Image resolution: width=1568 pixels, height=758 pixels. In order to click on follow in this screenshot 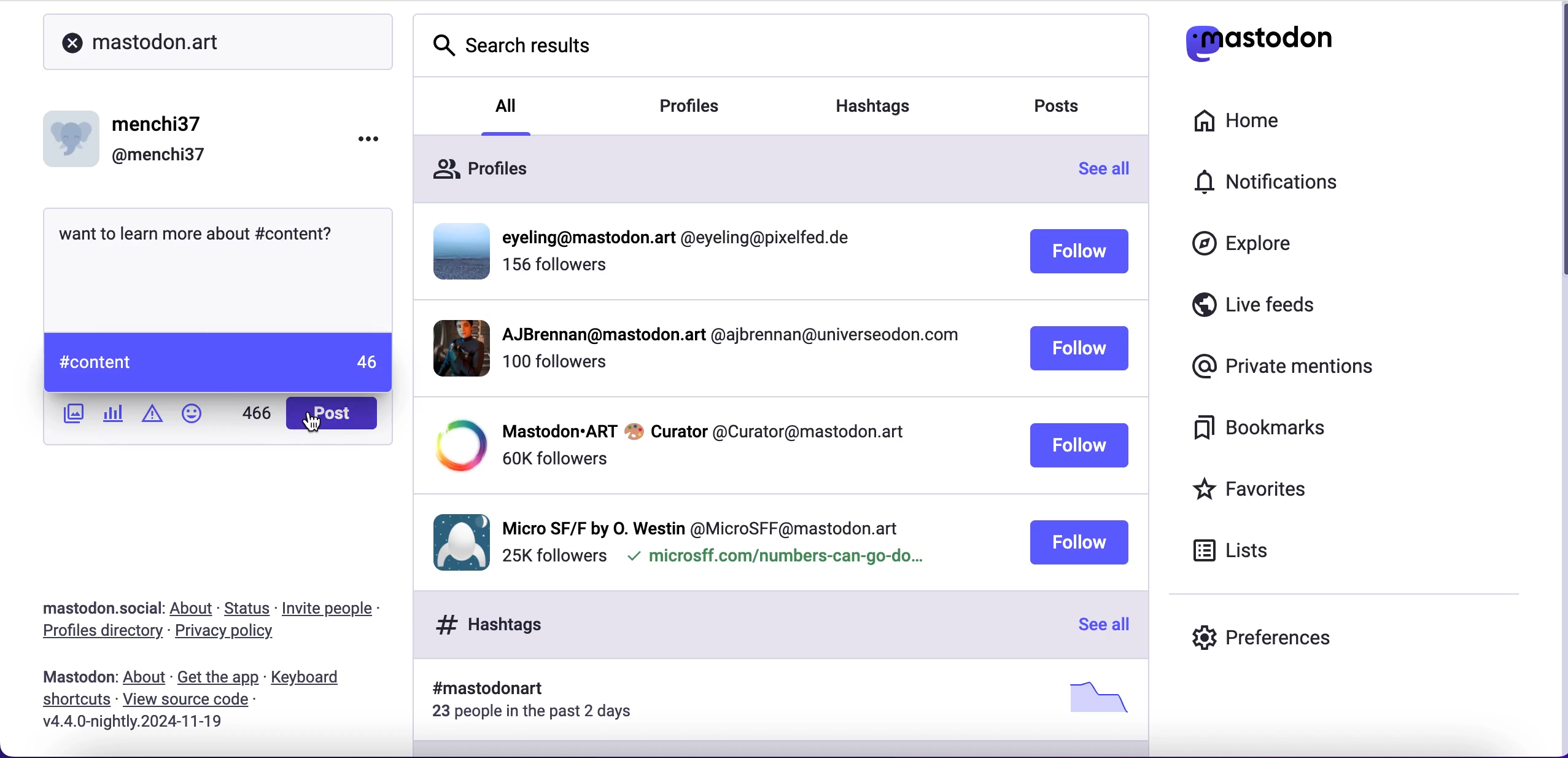, I will do `click(1079, 253)`.